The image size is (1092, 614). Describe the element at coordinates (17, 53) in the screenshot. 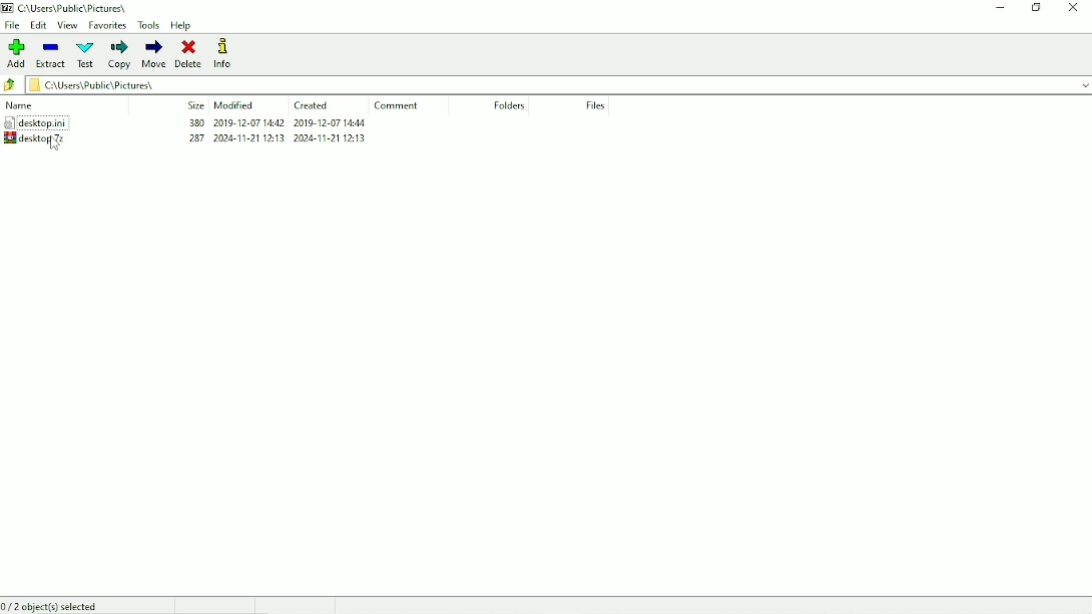

I see `Add` at that location.